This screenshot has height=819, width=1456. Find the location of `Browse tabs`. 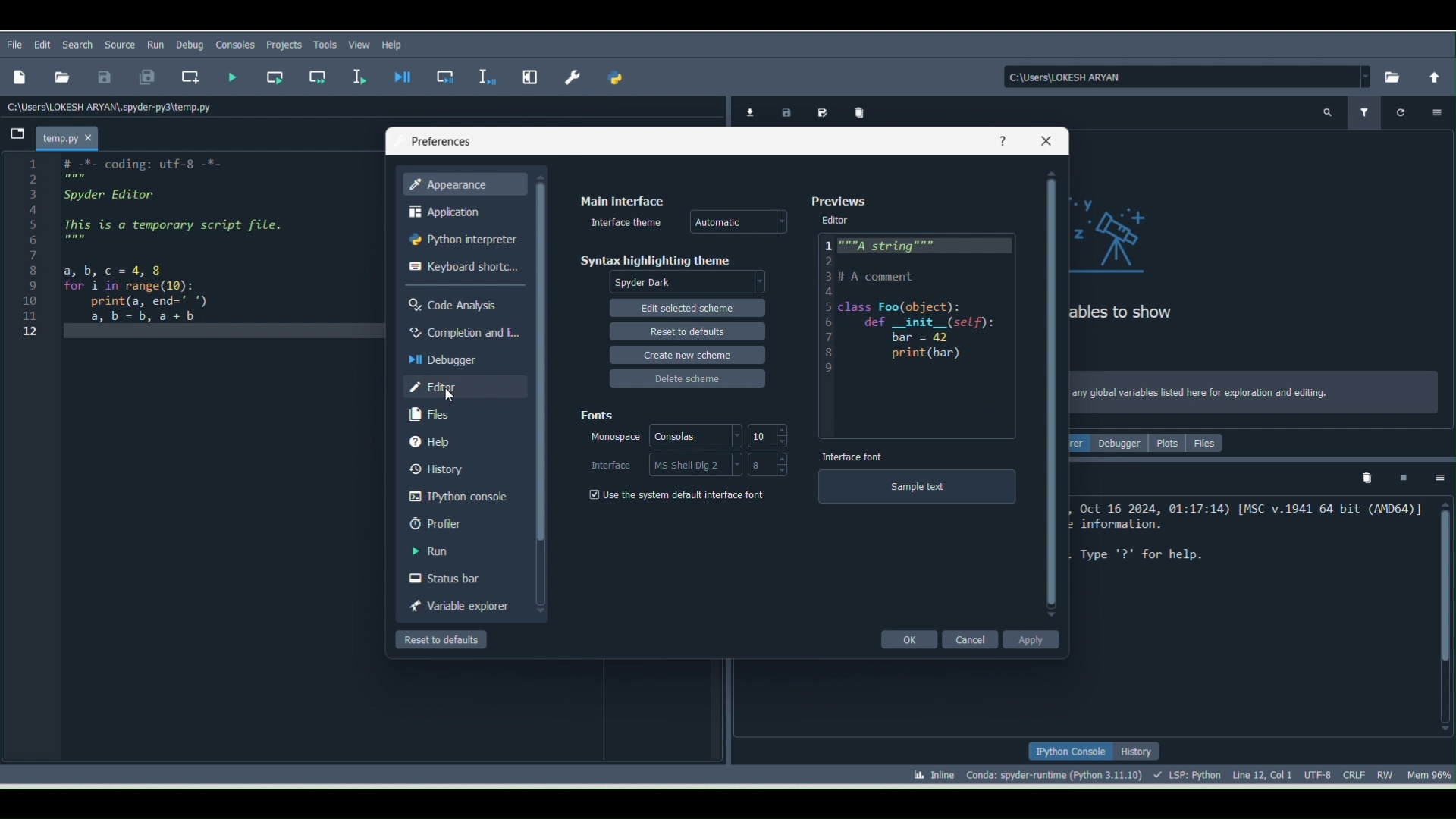

Browse tabs is located at coordinates (15, 137).